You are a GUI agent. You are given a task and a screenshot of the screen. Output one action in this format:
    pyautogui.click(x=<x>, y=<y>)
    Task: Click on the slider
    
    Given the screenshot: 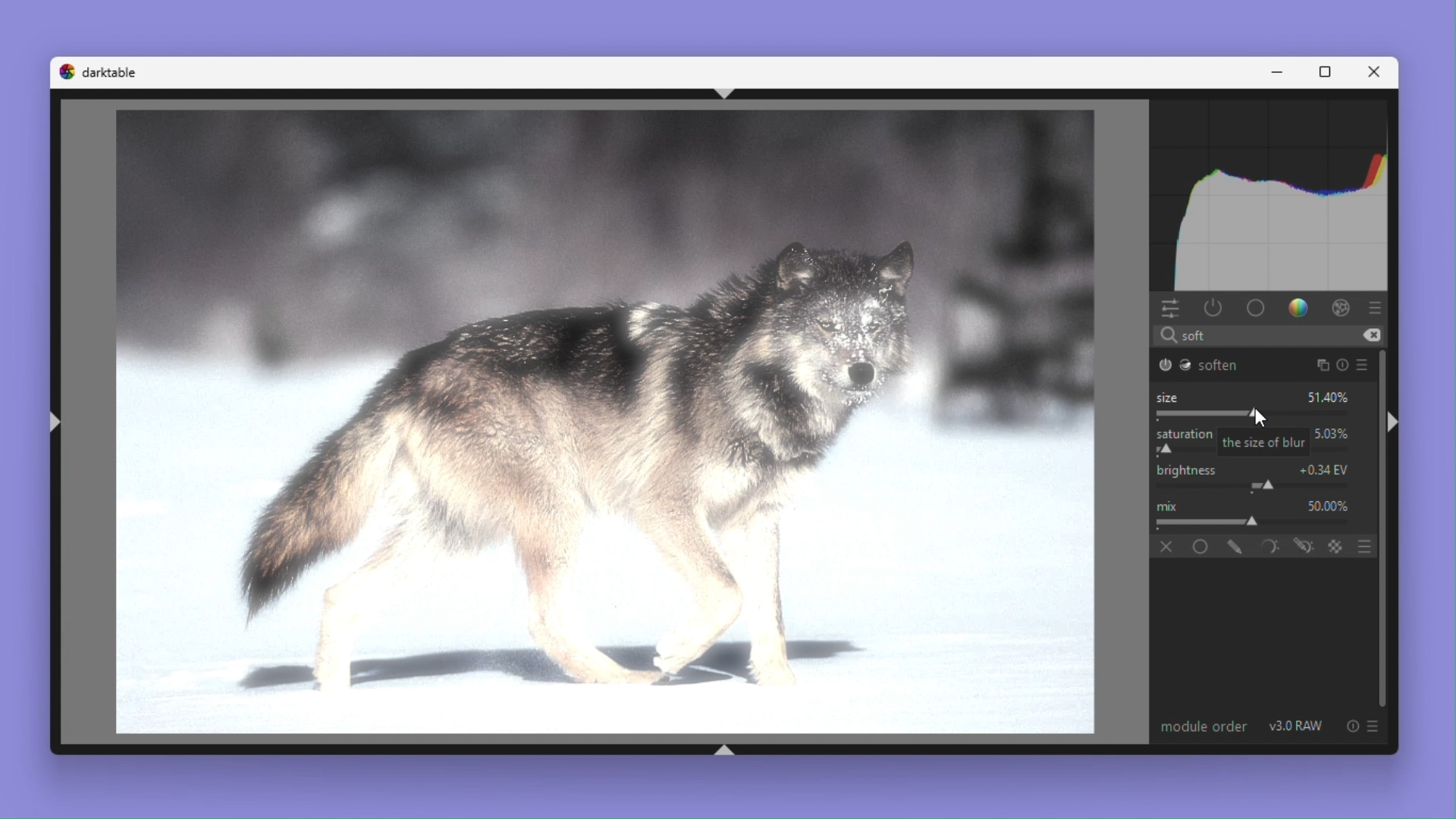 What is the action you would take?
    pyautogui.click(x=1251, y=414)
    